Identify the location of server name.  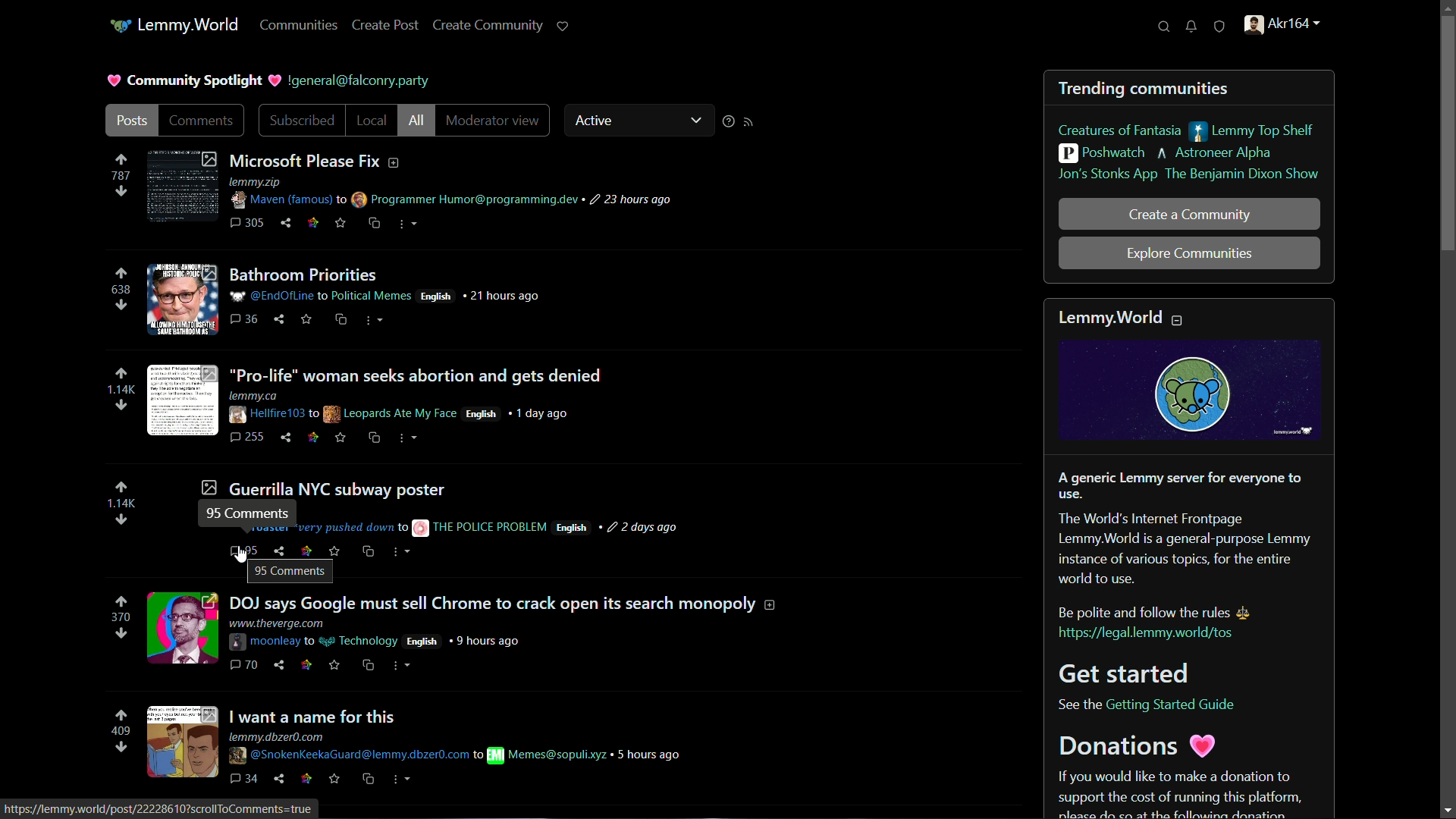
(189, 24).